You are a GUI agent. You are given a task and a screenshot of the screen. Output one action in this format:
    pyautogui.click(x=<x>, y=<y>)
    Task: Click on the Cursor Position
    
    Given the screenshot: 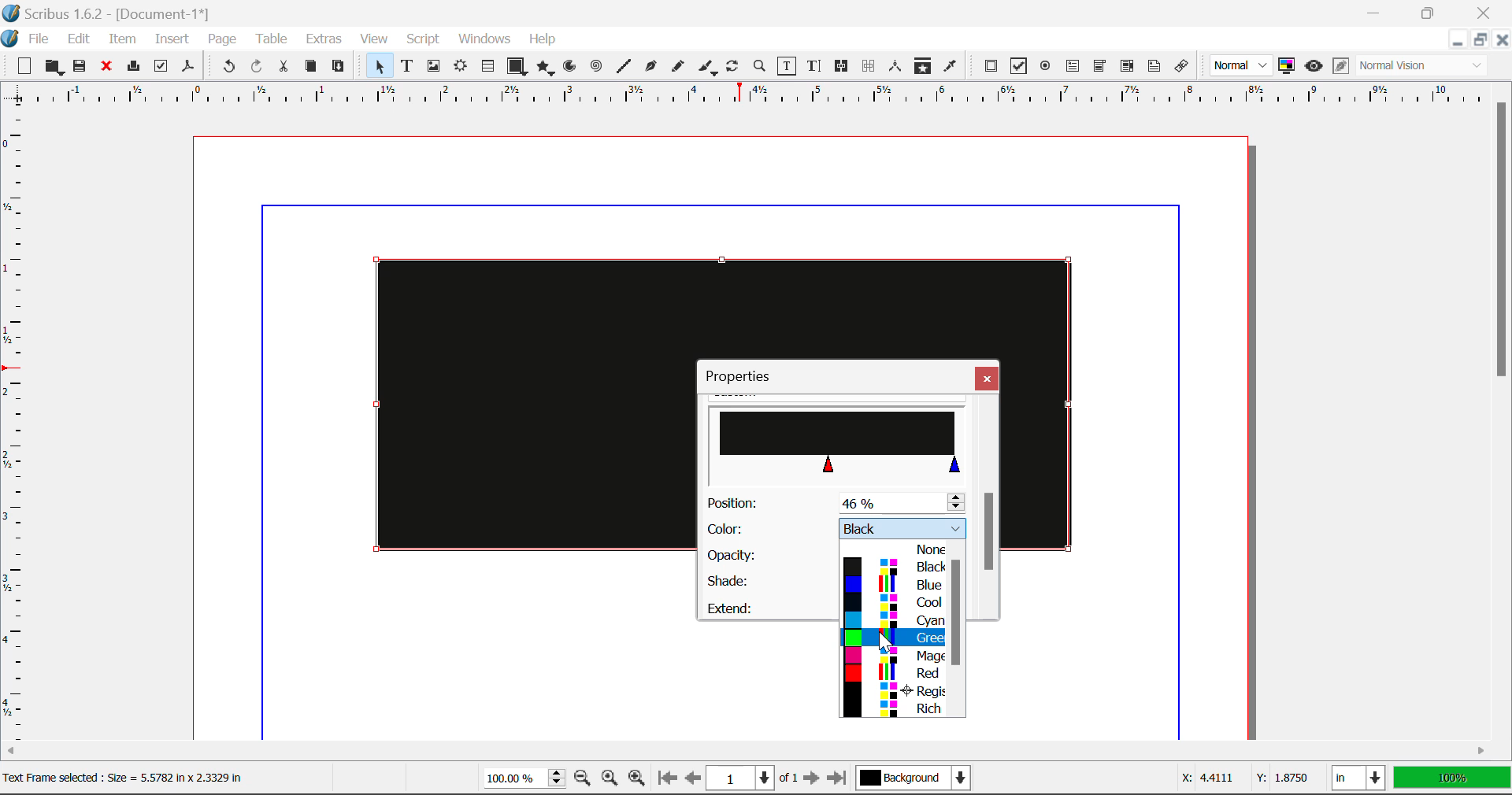 What is the action you would take?
    pyautogui.click(x=884, y=639)
    